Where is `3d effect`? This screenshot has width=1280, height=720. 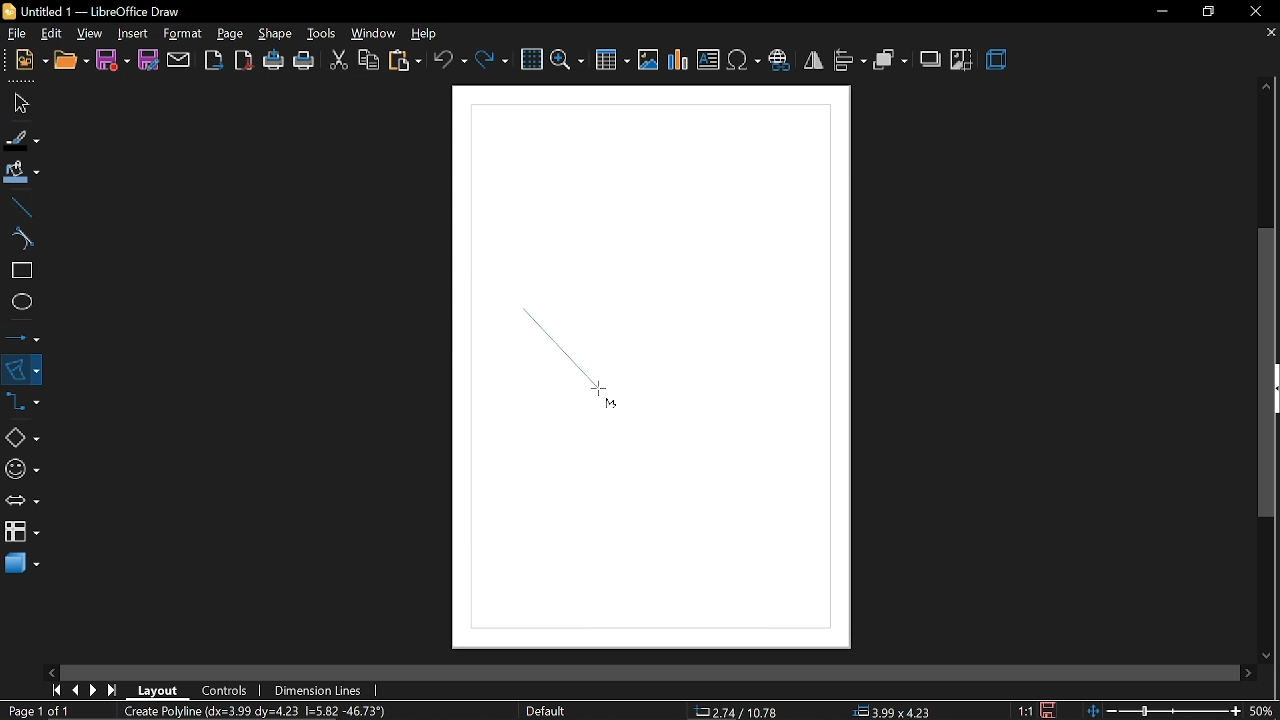
3d effect is located at coordinates (997, 60).